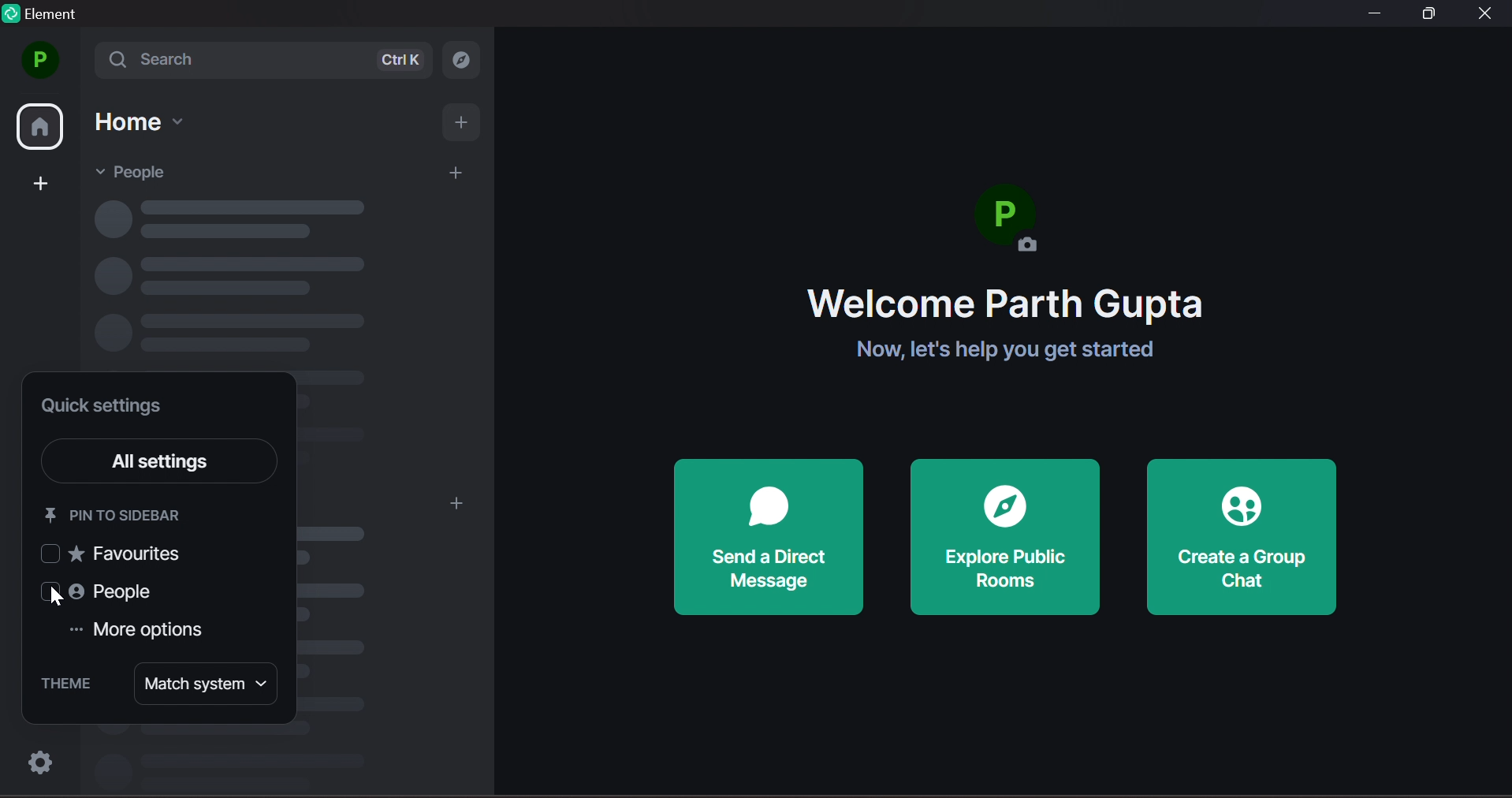  What do you see at coordinates (1006, 304) in the screenshot?
I see `welcome parth gupta` at bounding box center [1006, 304].